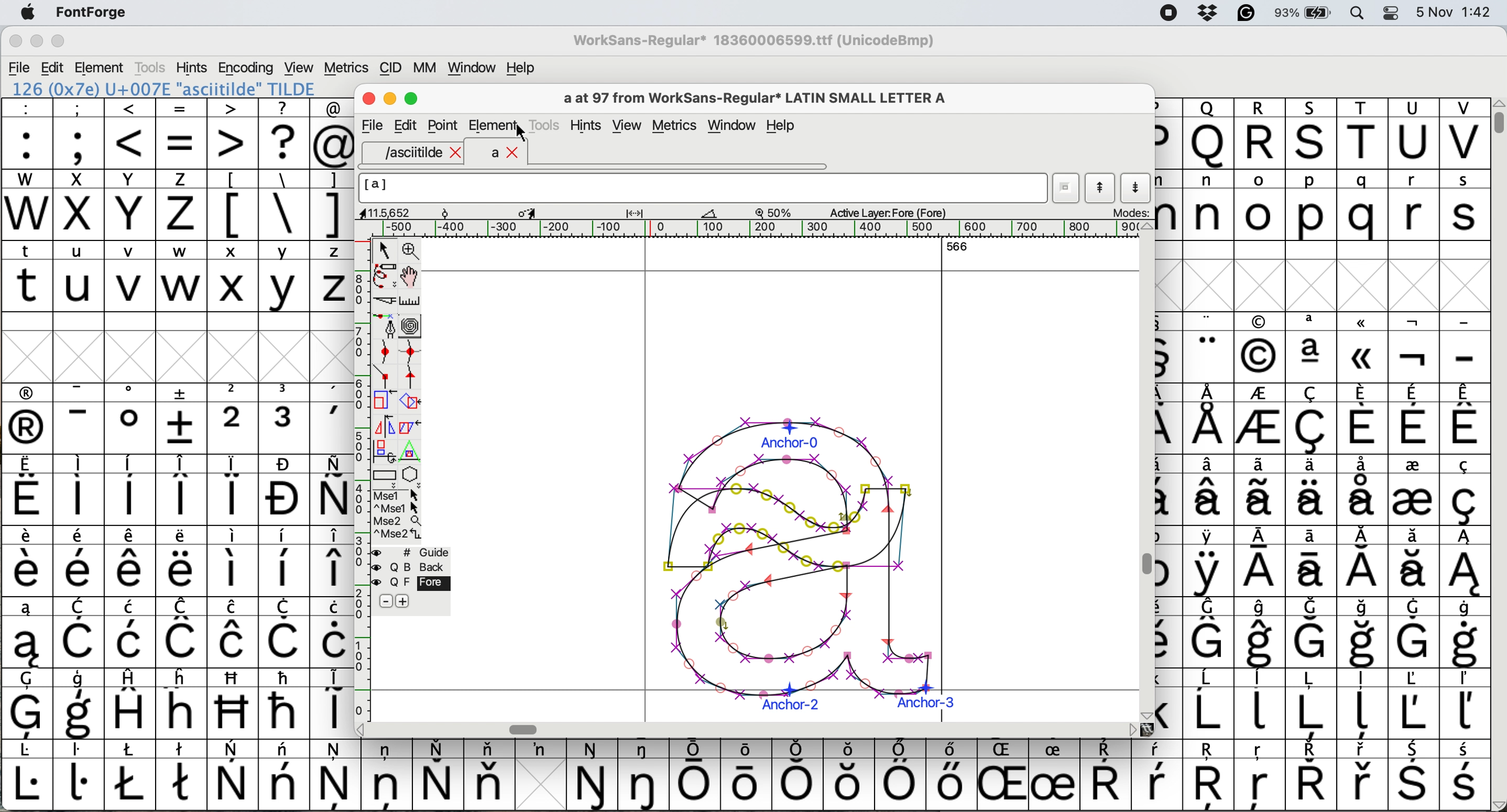 The width and height of the screenshot is (1507, 812). Describe the element at coordinates (331, 203) in the screenshot. I see `]` at that location.